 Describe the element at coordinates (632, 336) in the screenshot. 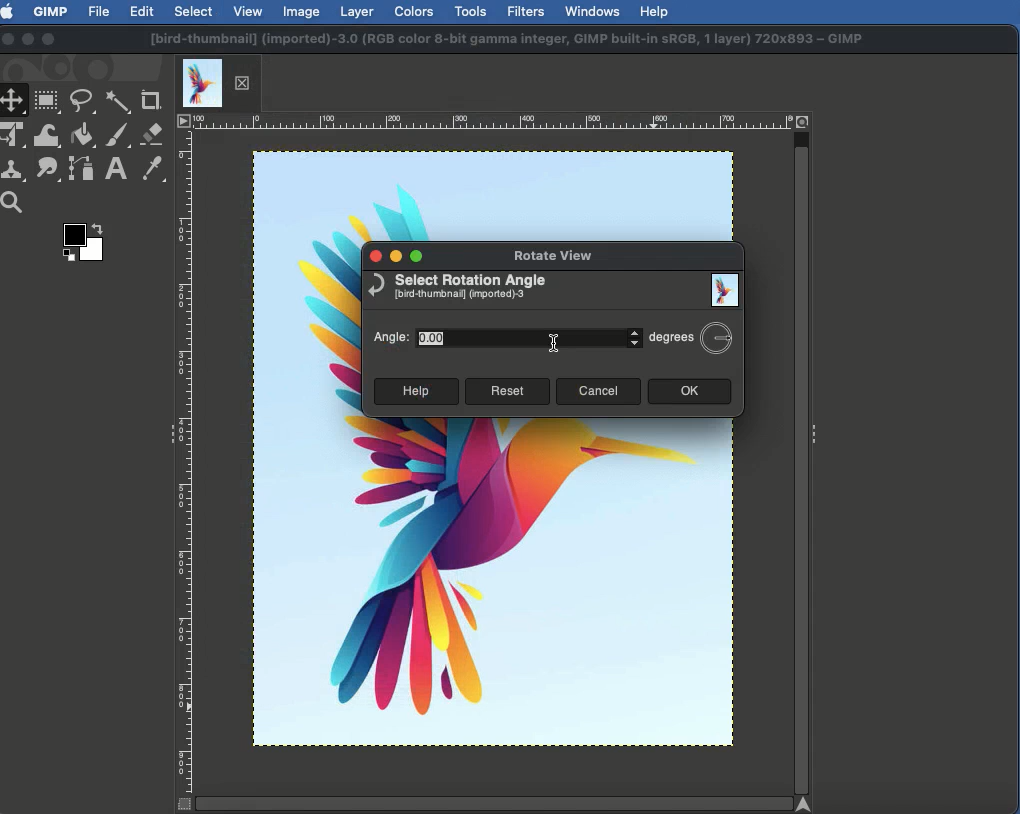

I see `adjust angle` at that location.